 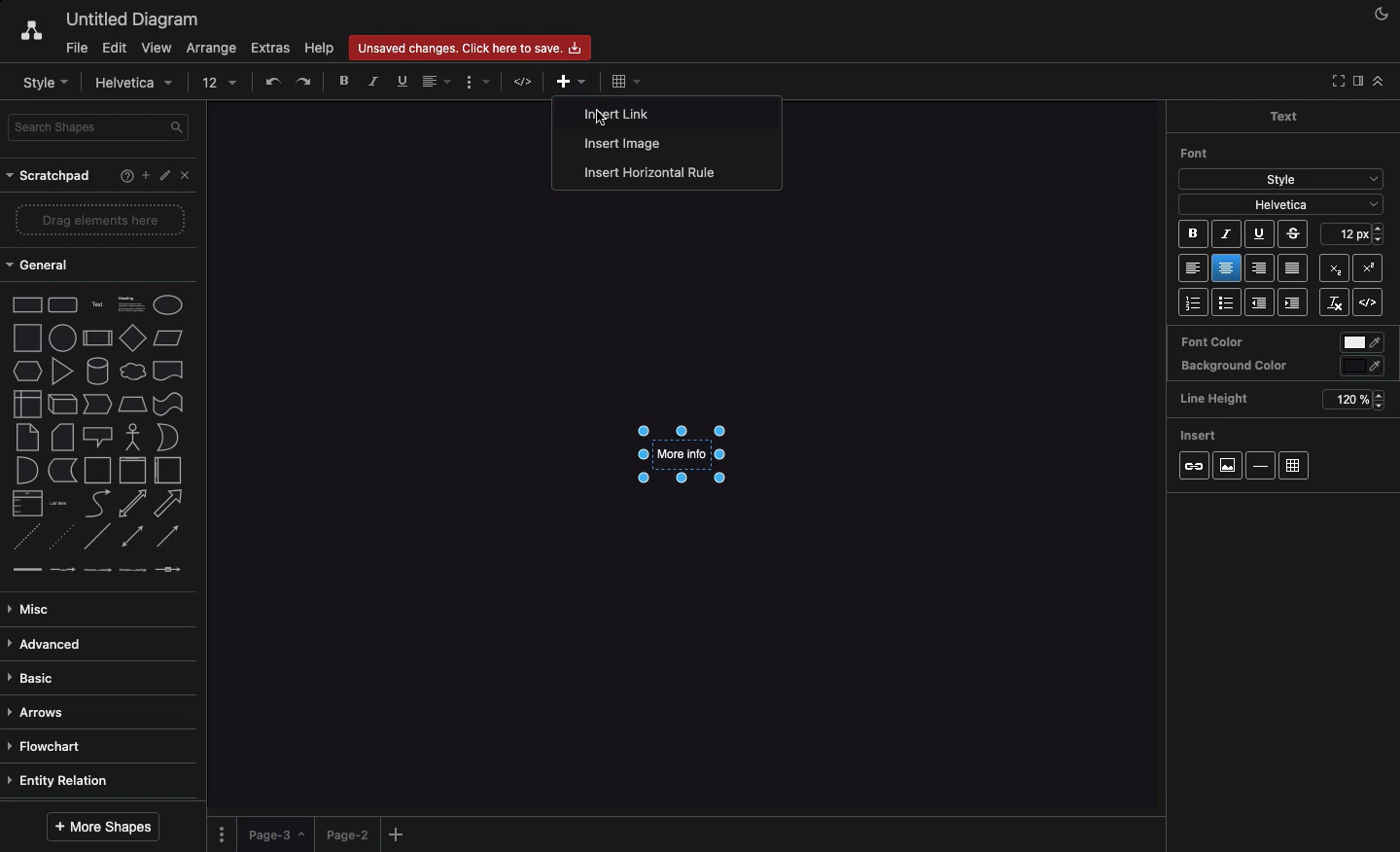 I want to click on data storage, so click(x=63, y=471).